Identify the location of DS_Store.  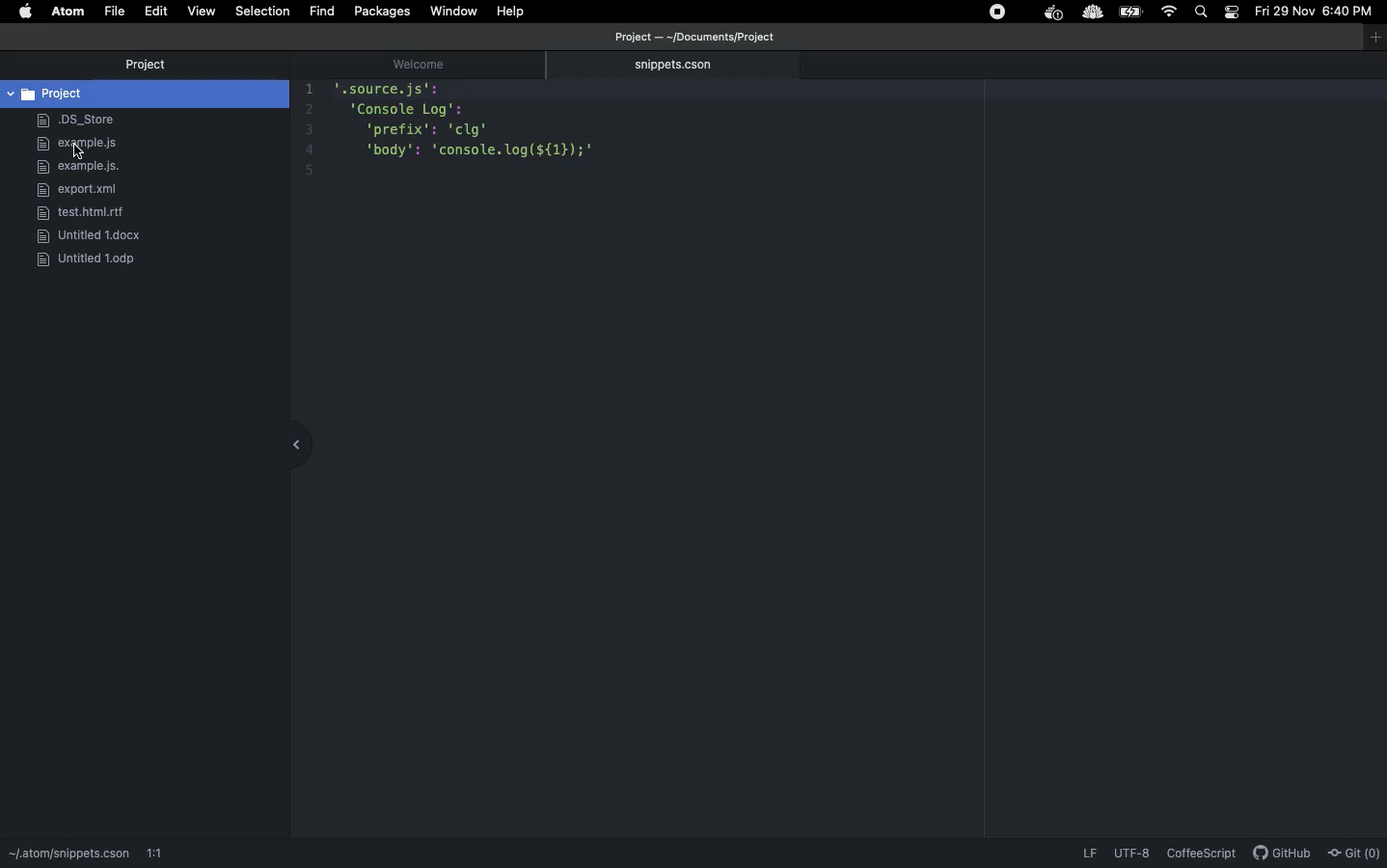
(76, 122).